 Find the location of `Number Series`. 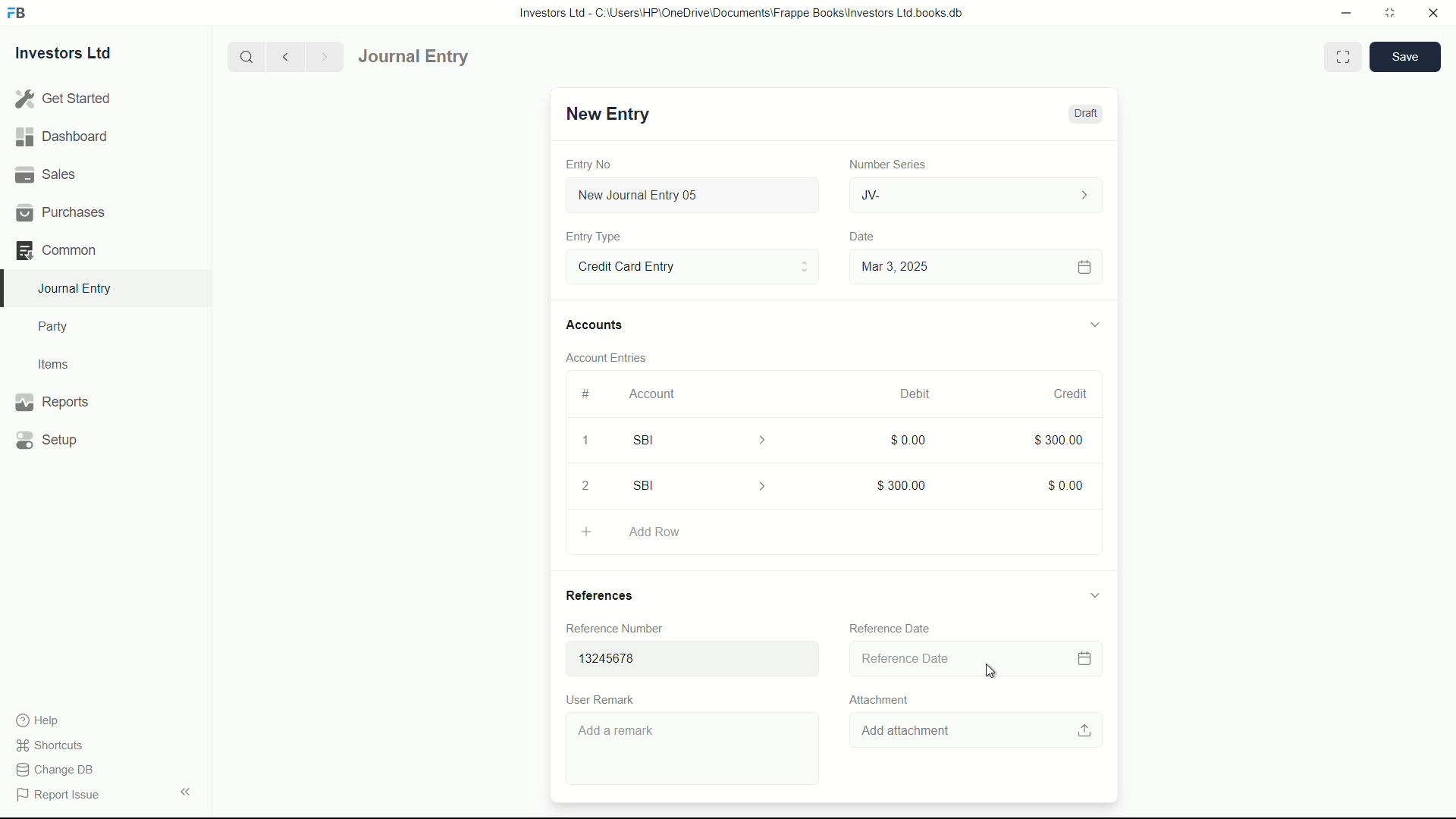

Number Series is located at coordinates (881, 163).